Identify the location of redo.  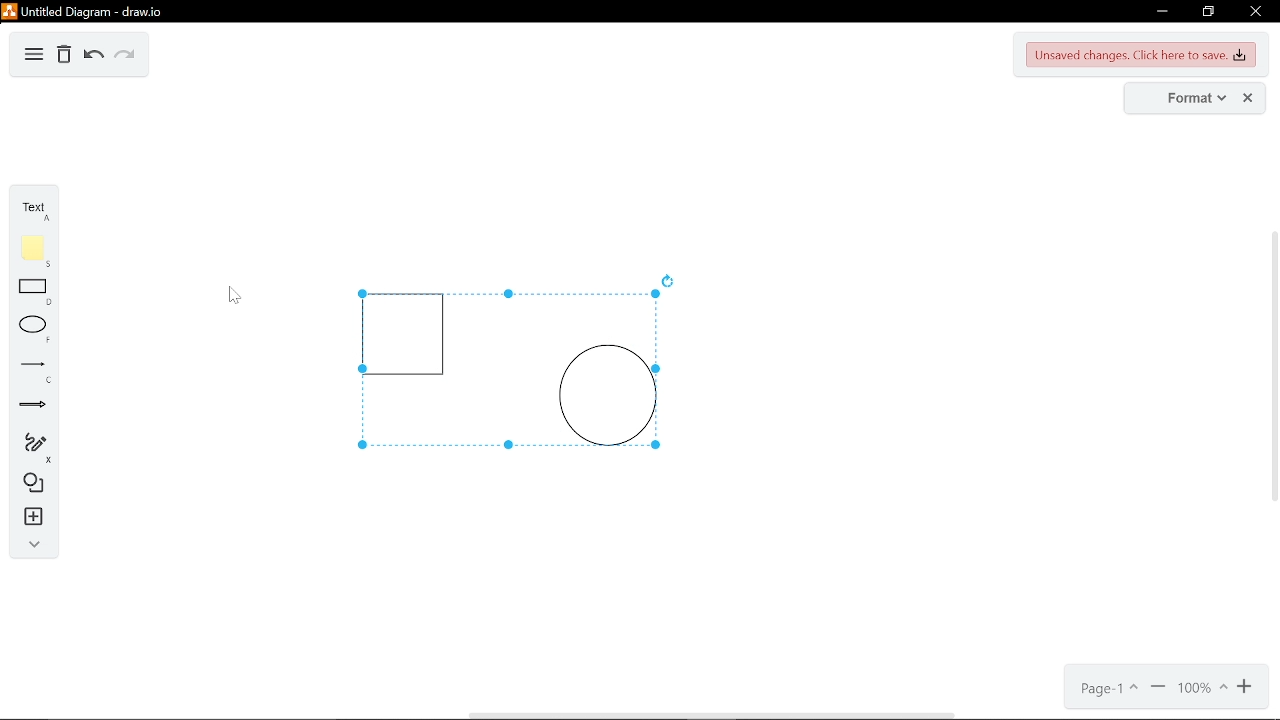
(126, 55).